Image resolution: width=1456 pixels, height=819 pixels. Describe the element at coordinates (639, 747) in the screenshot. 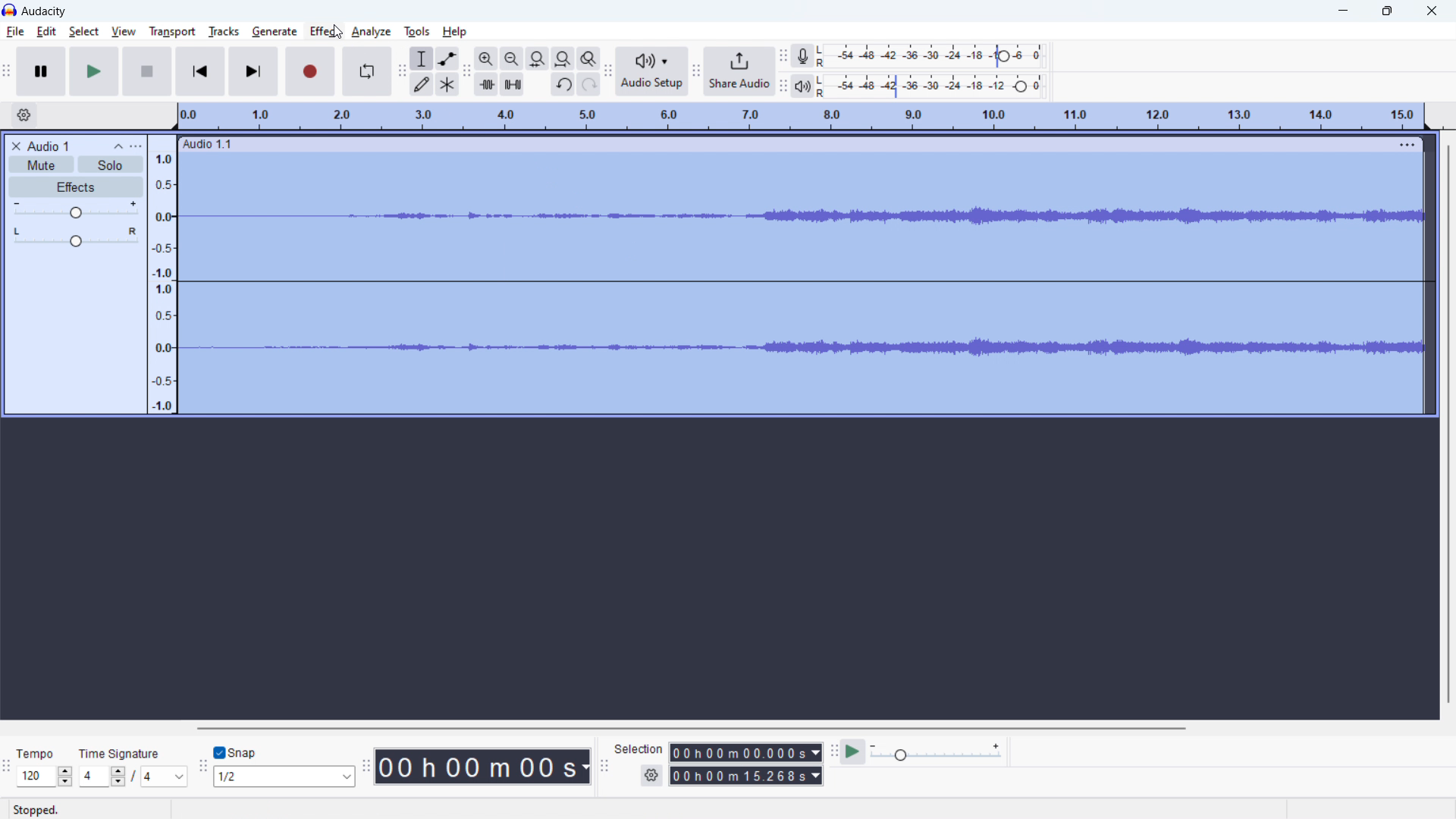

I see `Selection` at that location.